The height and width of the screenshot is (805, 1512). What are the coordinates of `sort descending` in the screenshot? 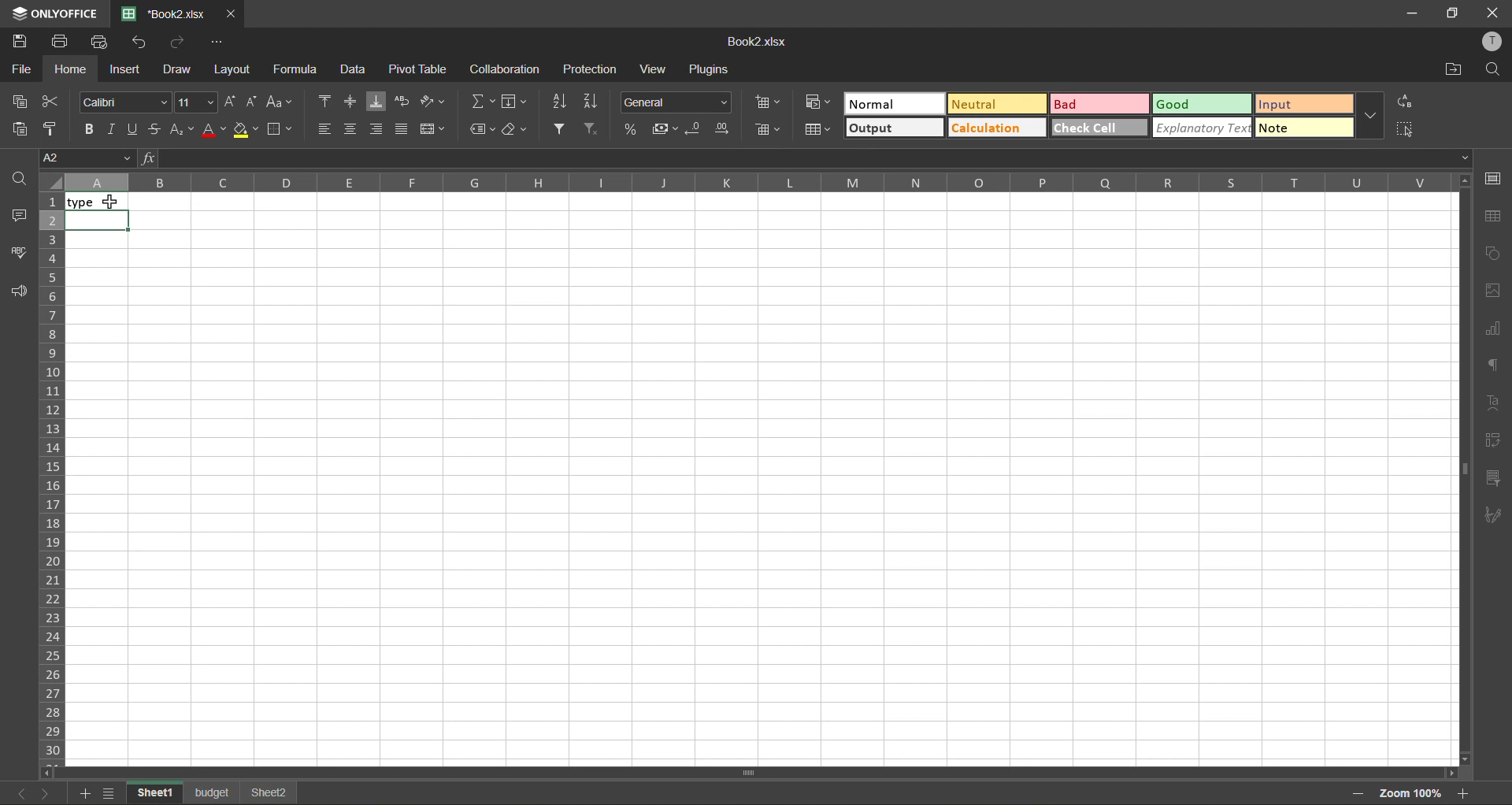 It's located at (591, 102).